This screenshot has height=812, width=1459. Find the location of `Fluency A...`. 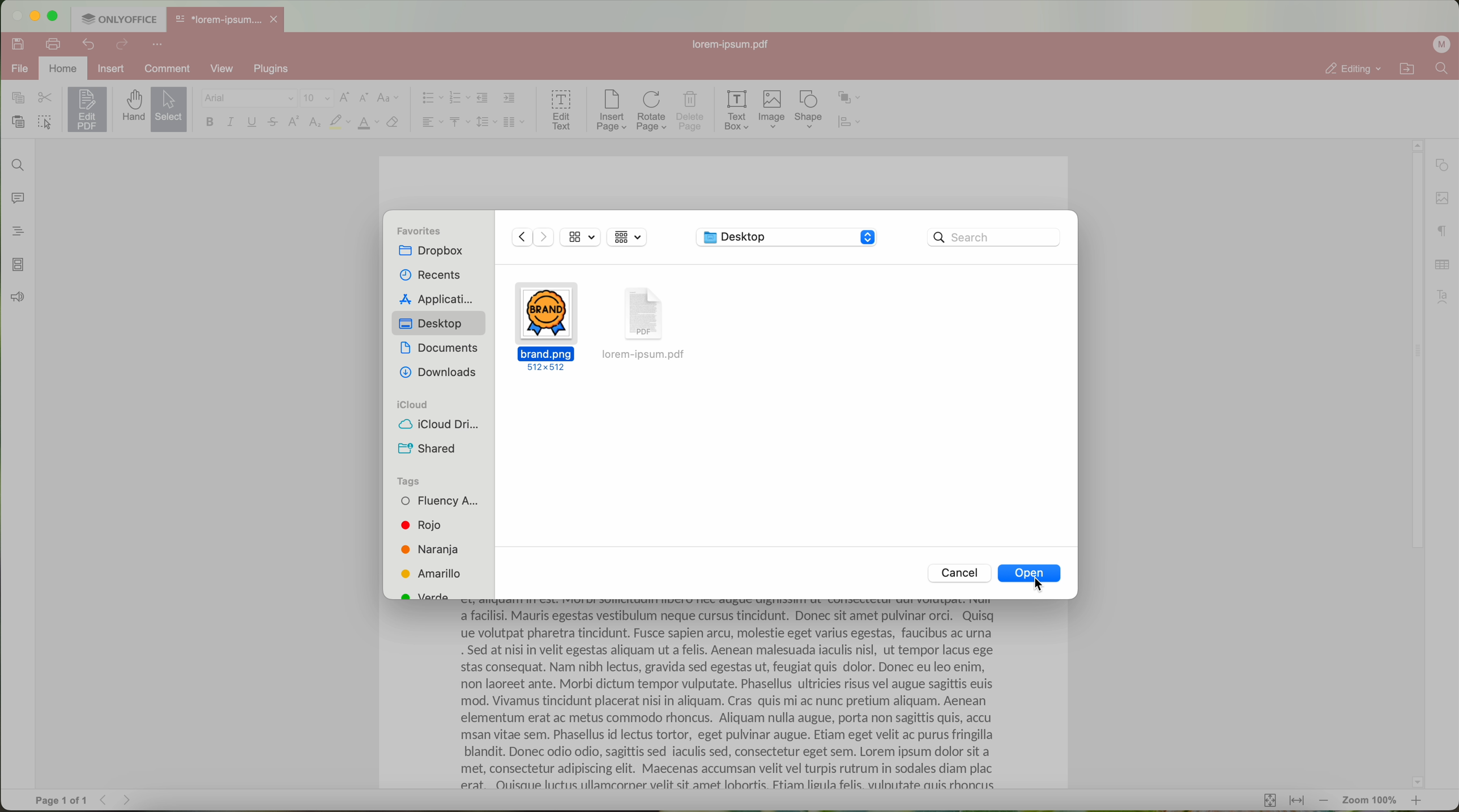

Fluency A... is located at coordinates (440, 502).